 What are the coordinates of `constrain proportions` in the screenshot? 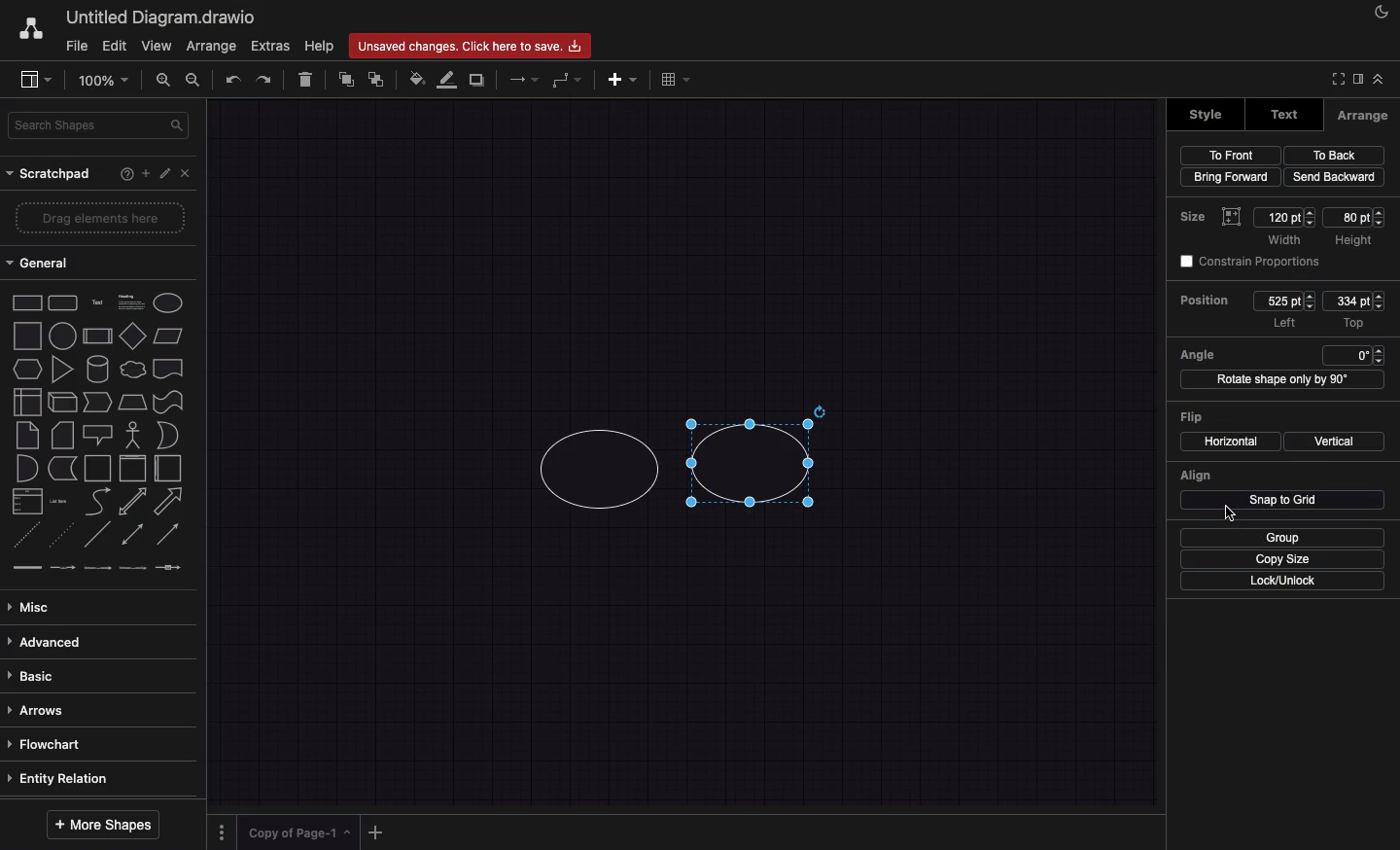 It's located at (1246, 260).